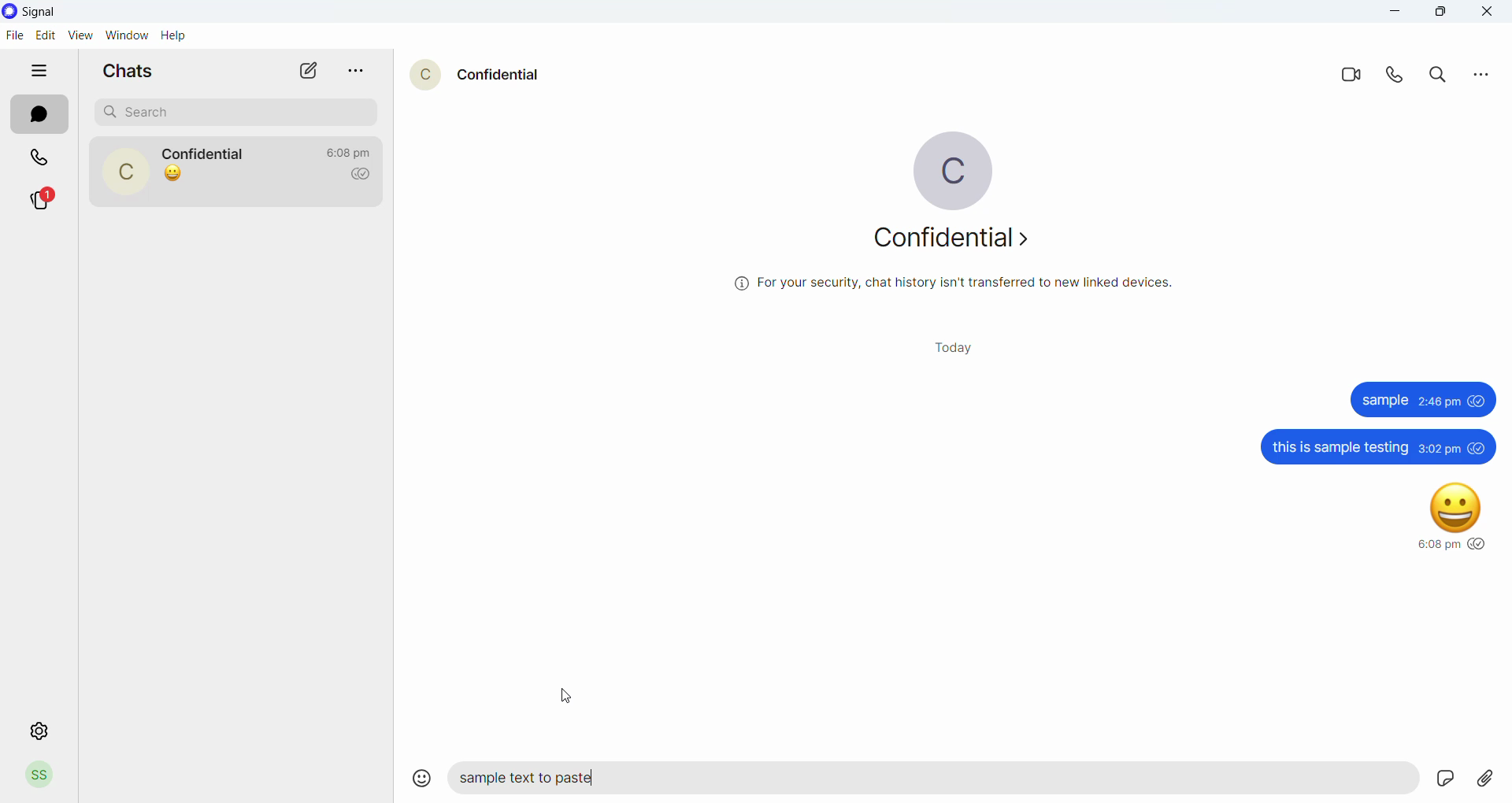 The image size is (1512, 803). Describe the element at coordinates (1447, 779) in the screenshot. I see `voice note` at that location.